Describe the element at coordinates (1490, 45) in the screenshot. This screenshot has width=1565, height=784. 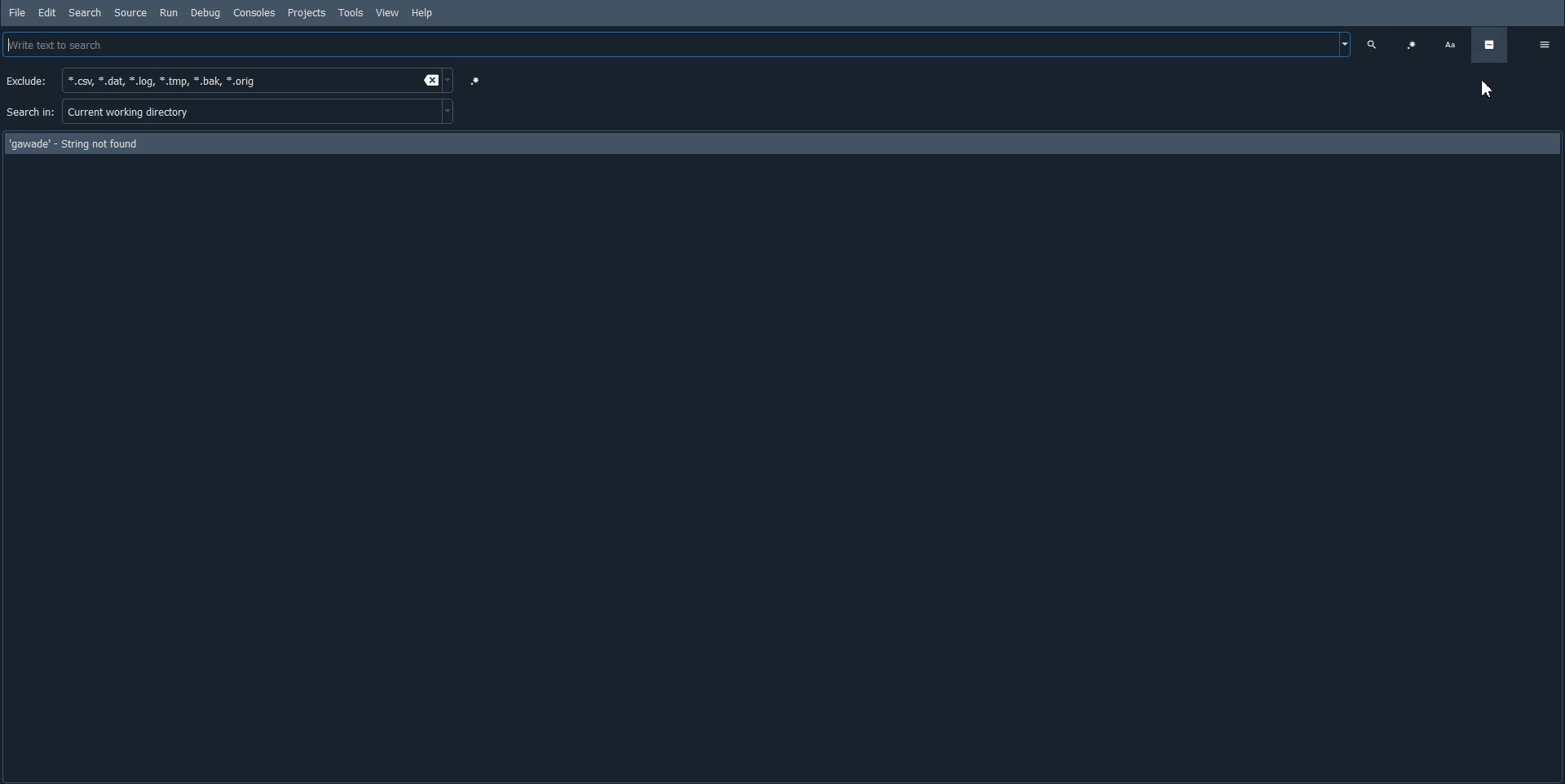
I see `Hide advance option` at that location.